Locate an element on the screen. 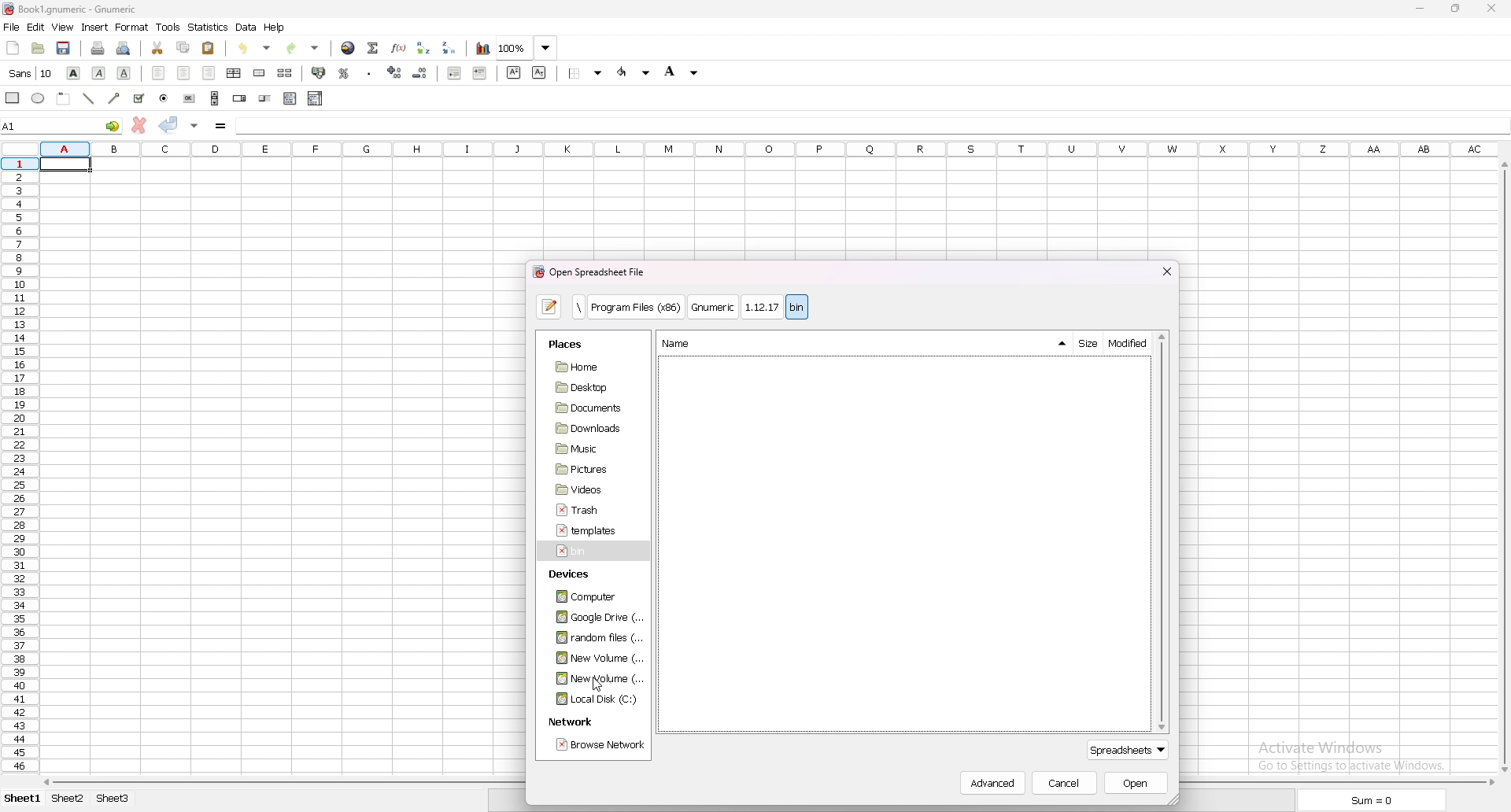 The height and width of the screenshot is (812, 1511). undo is located at coordinates (257, 49).